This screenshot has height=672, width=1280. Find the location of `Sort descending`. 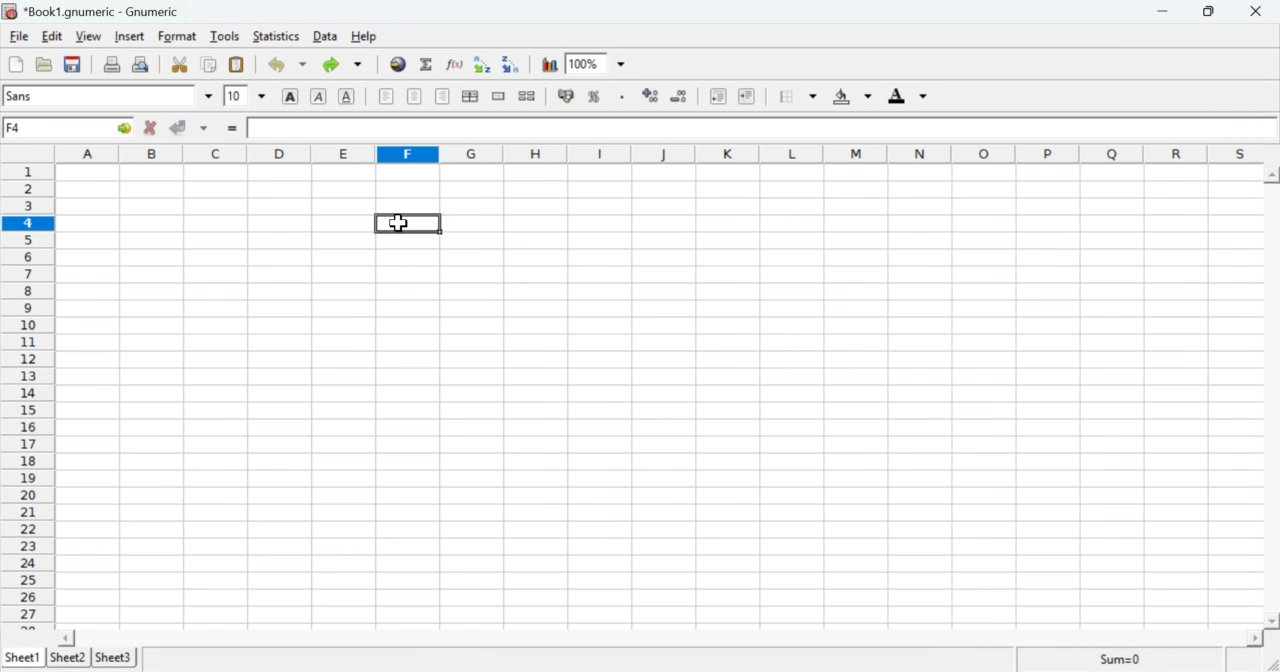

Sort descending is located at coordinates (511, 64).